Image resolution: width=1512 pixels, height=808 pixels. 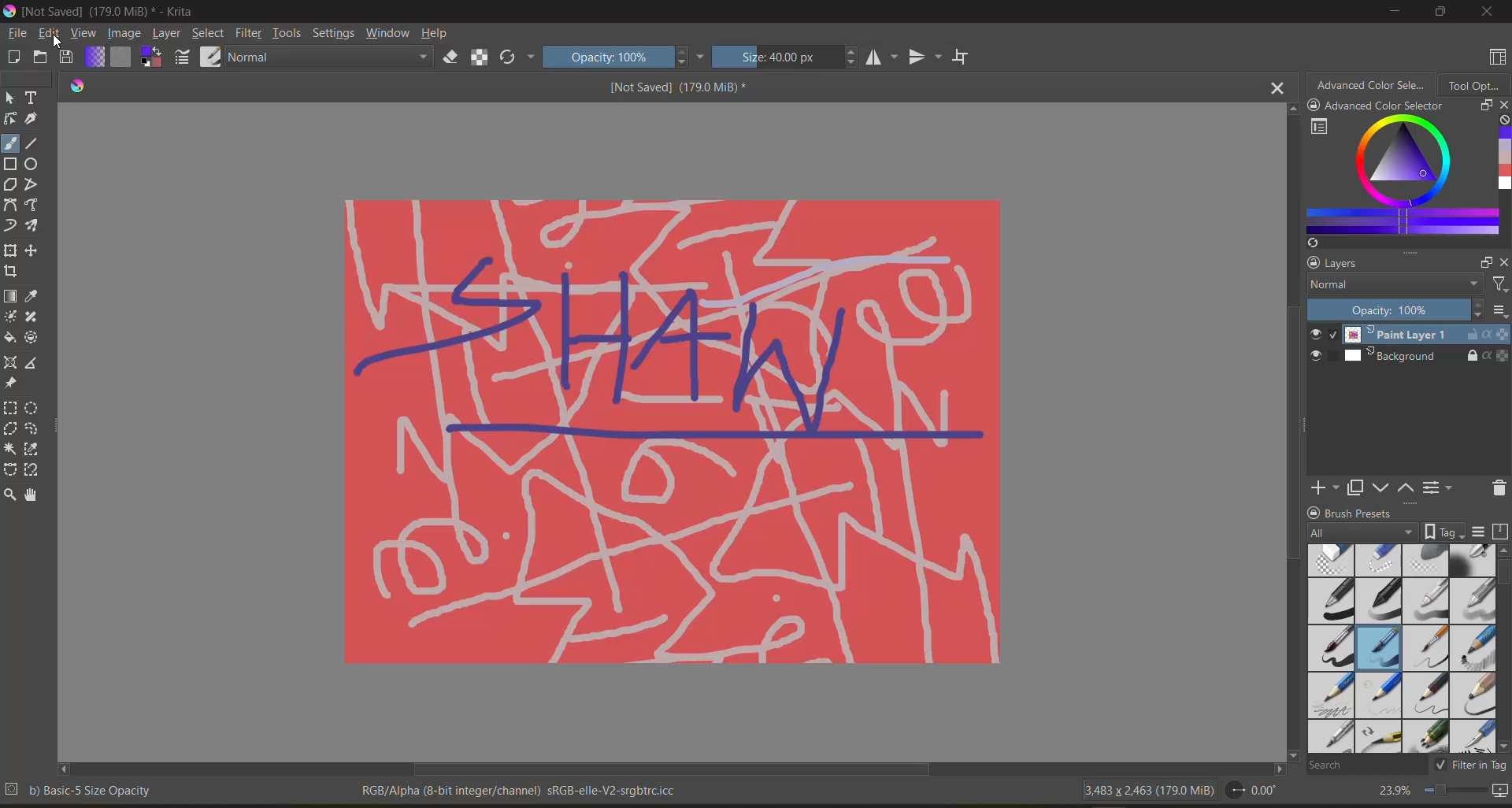 What do you see at coordinates (11, 143) in the screenshot?
I see `free hand brush` at bounding box center [11, 143].